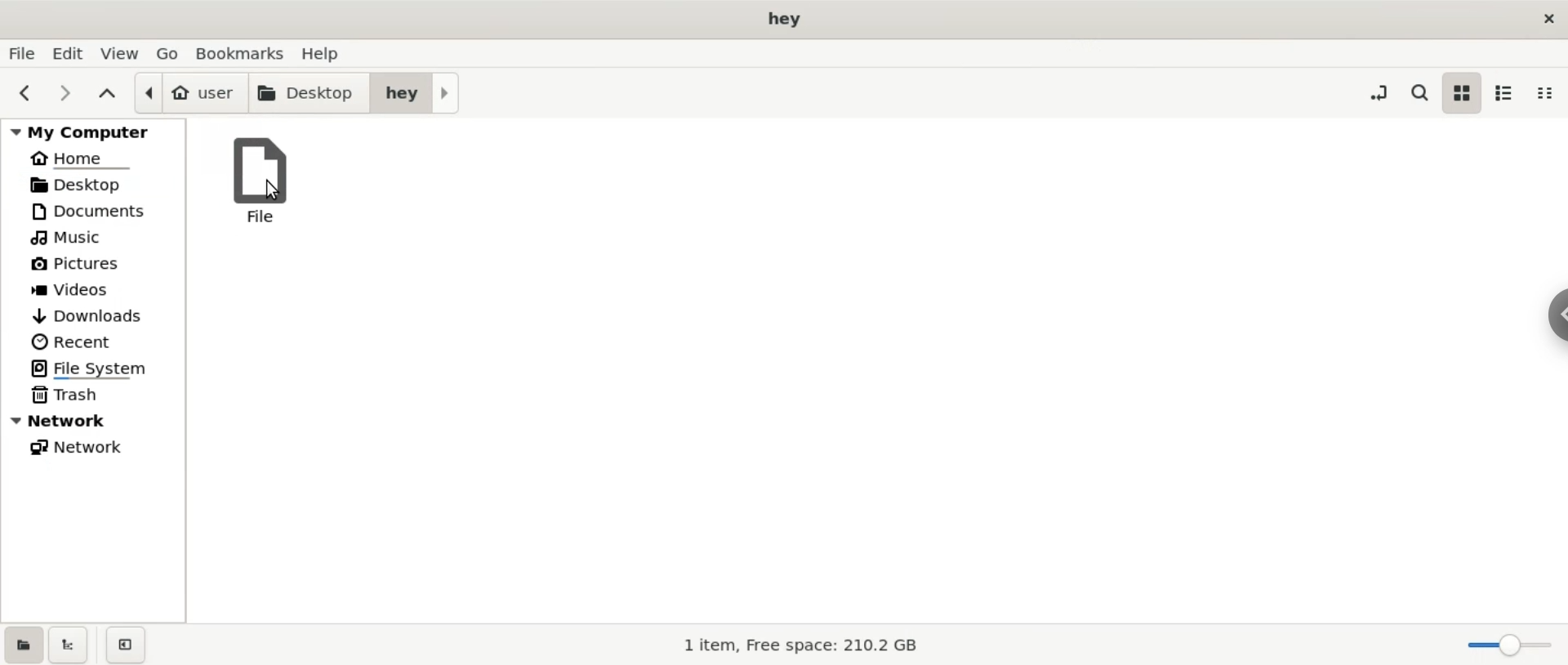  I want to click on trash, so click(94, 395).